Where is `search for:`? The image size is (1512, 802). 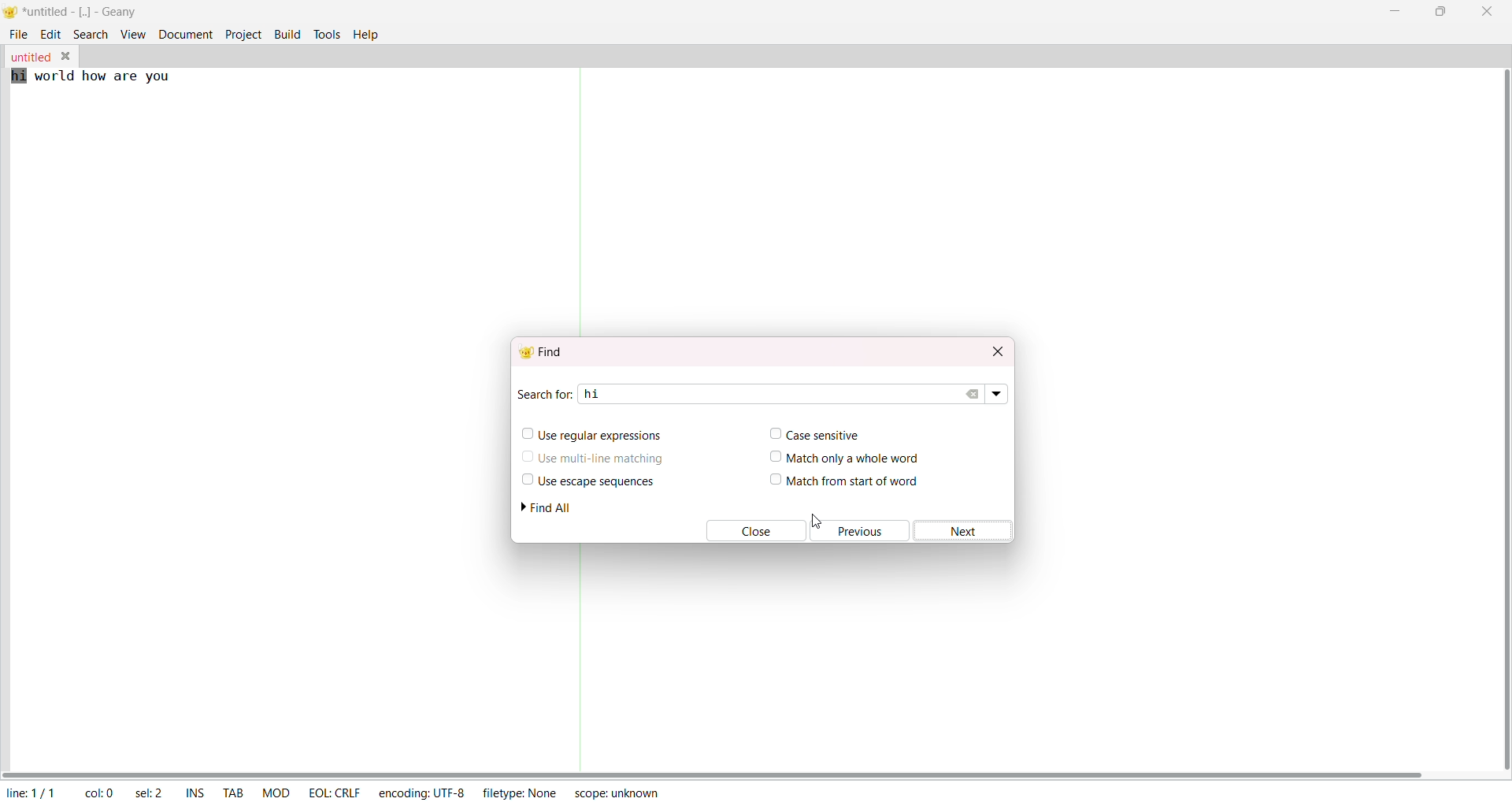 search for: is located at coordinates (545, 394).